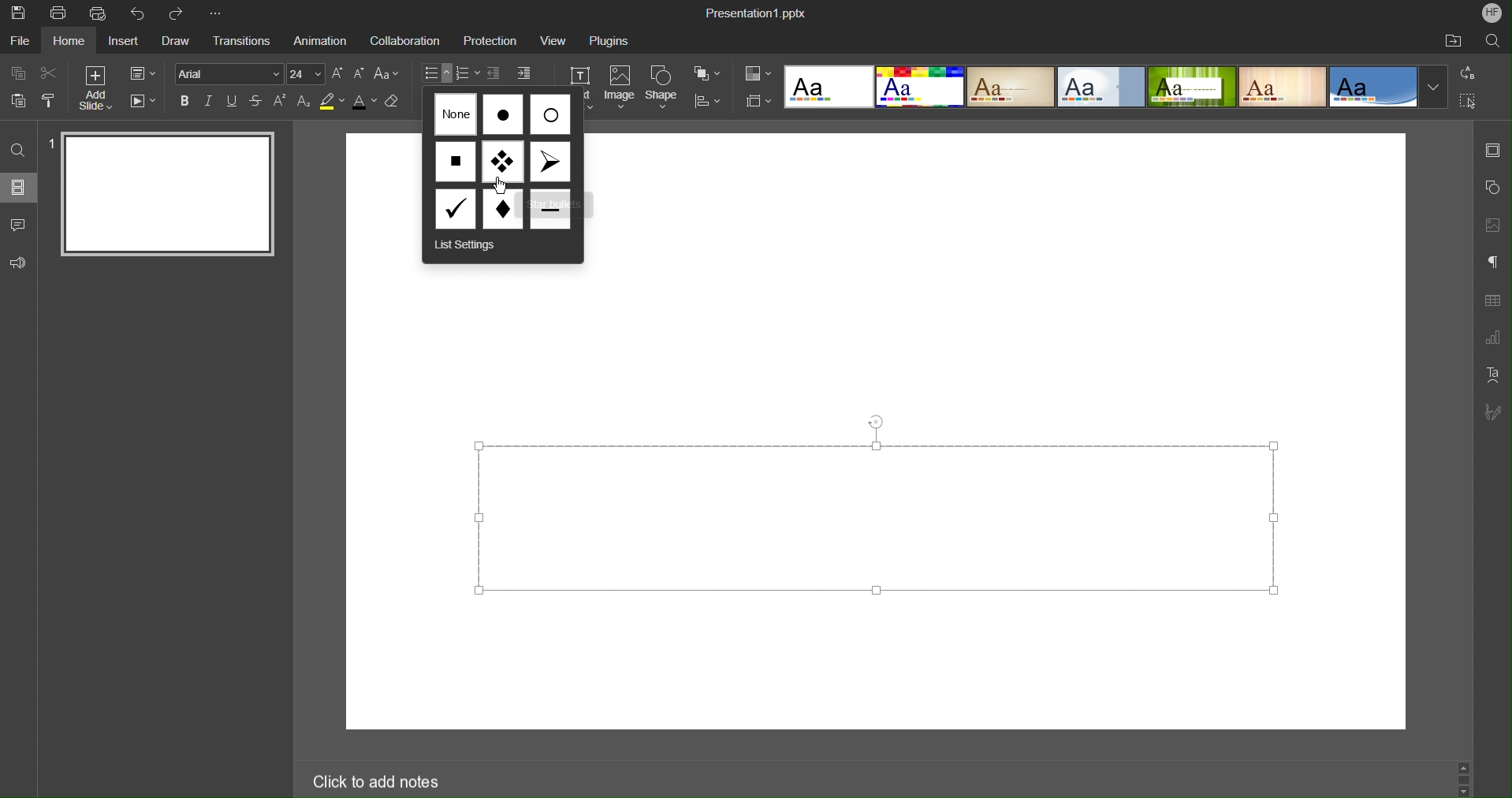 The width and height of the screenshot is (1512, 798). Describe the element at coordinates (1470, 100) in the screenshot. I see `Select All` at that location.